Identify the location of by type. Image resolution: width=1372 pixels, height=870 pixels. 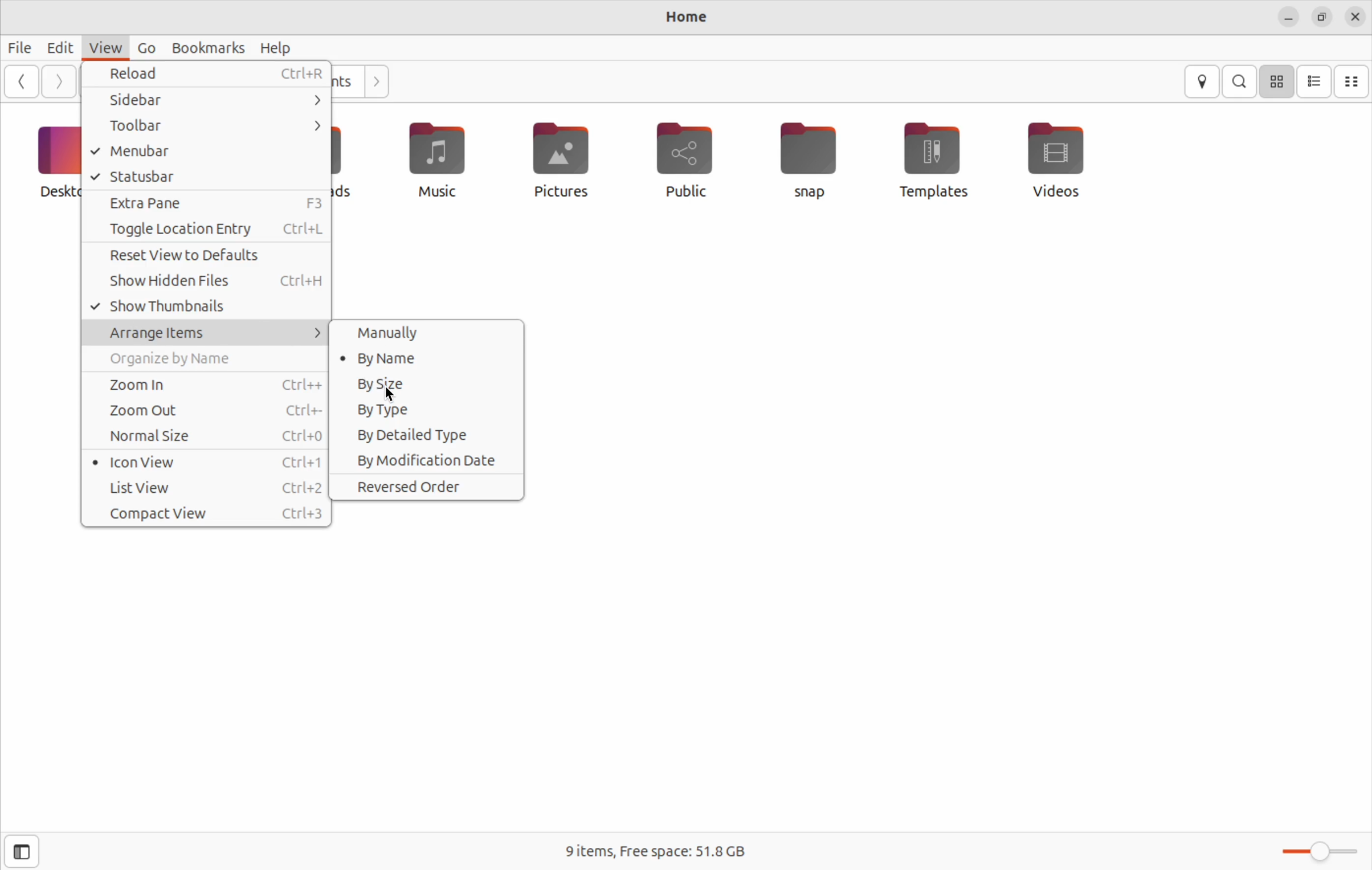
(426, 410).